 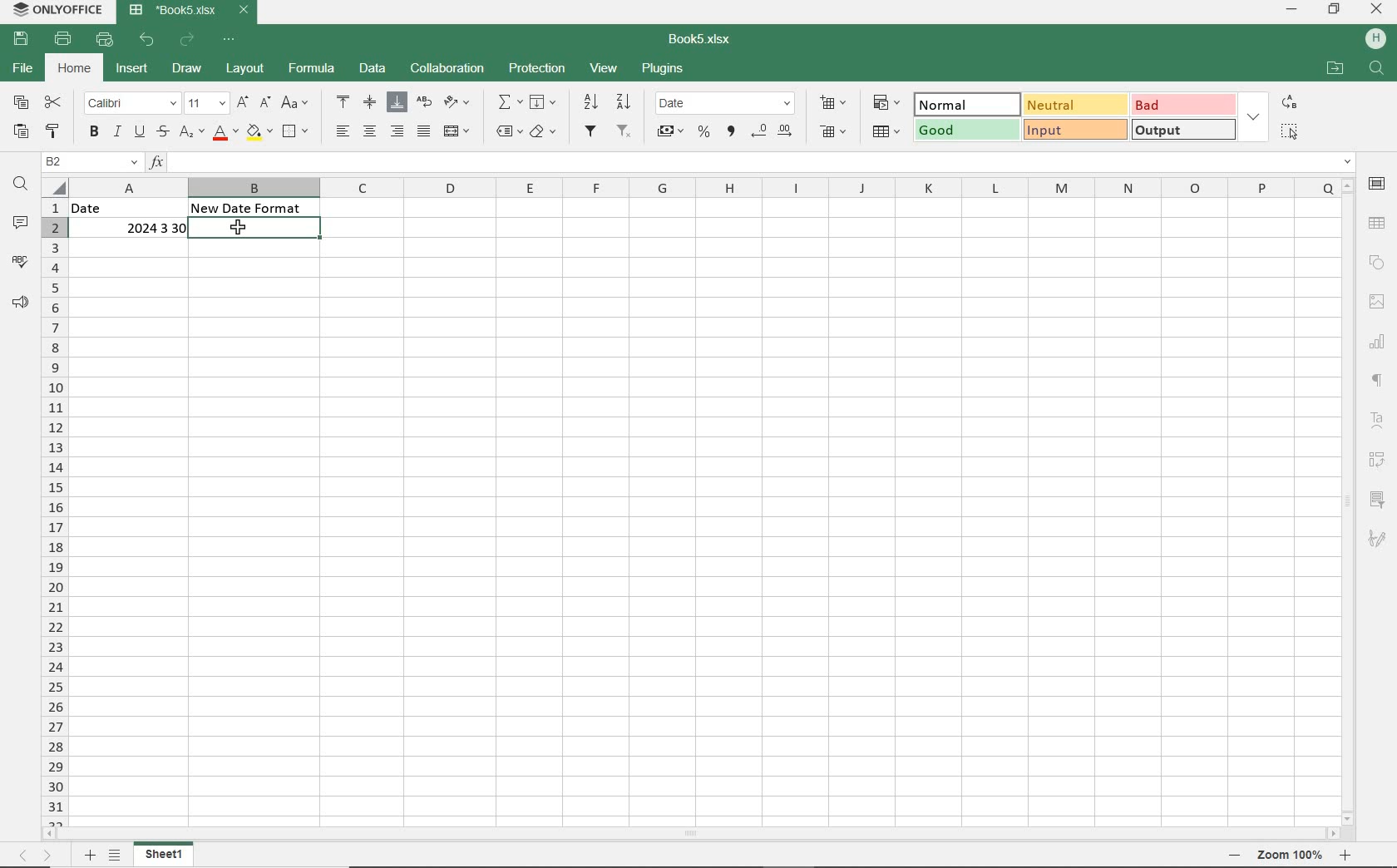 I want to click on NORMAL, so click(x=964, y=105).